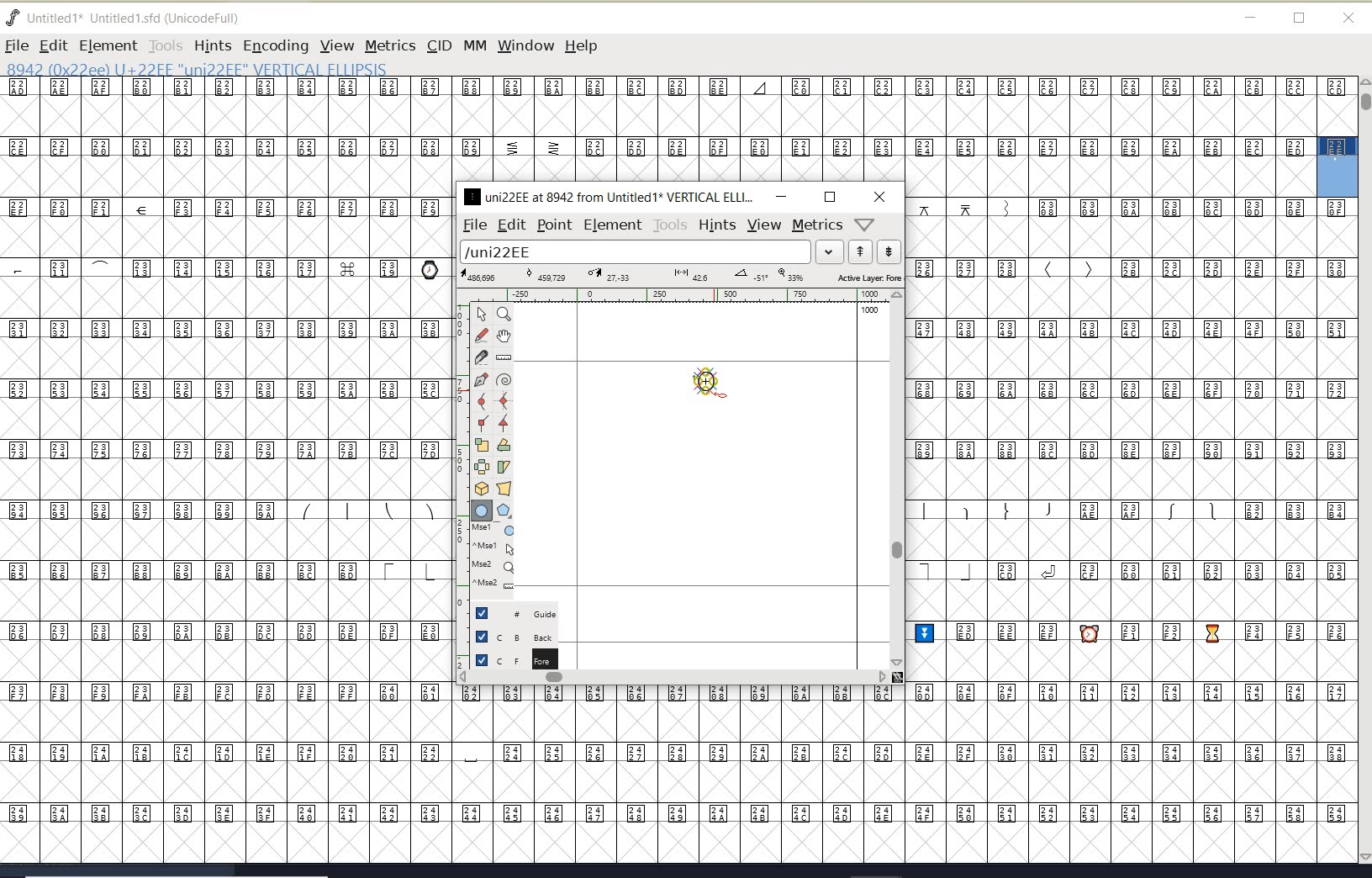 The height and width of the screenshot is (878, 1372). Describe the element at coordinates (817, 225) in the screenshot. I see `metrics` at that location.